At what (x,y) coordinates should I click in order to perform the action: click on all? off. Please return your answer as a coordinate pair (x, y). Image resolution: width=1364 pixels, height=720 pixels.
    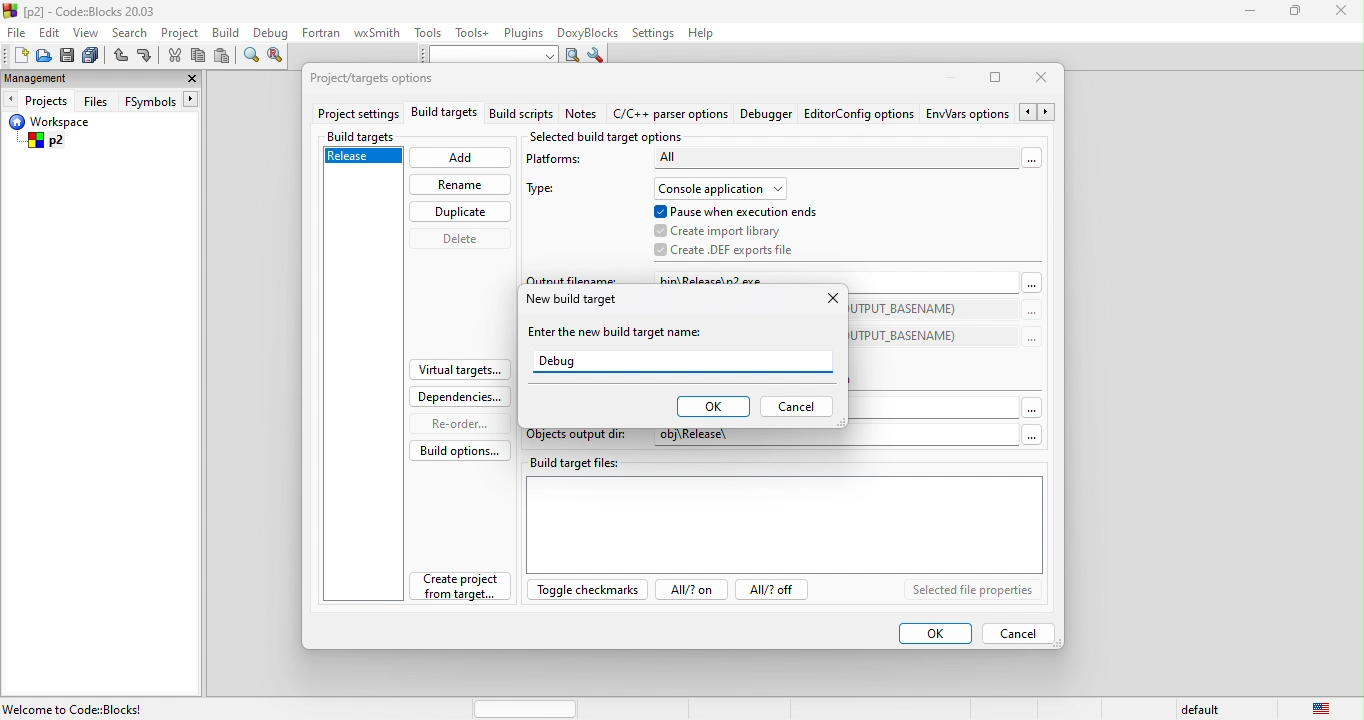
    Looking at the image, I should click on (775, 591).